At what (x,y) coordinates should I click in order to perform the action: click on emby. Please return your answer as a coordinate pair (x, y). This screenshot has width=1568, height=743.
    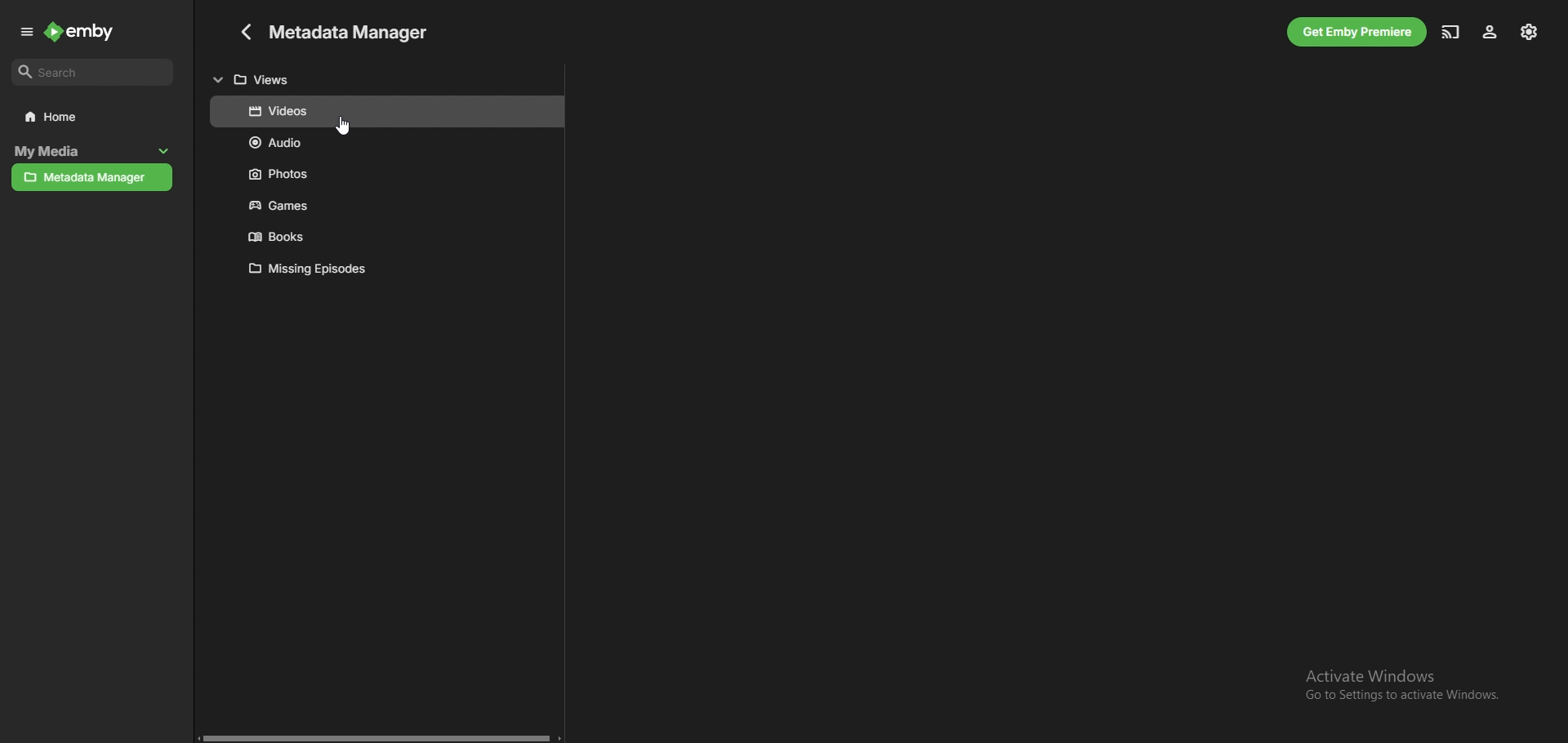
    Looking at the image, I should click on (81, 31).